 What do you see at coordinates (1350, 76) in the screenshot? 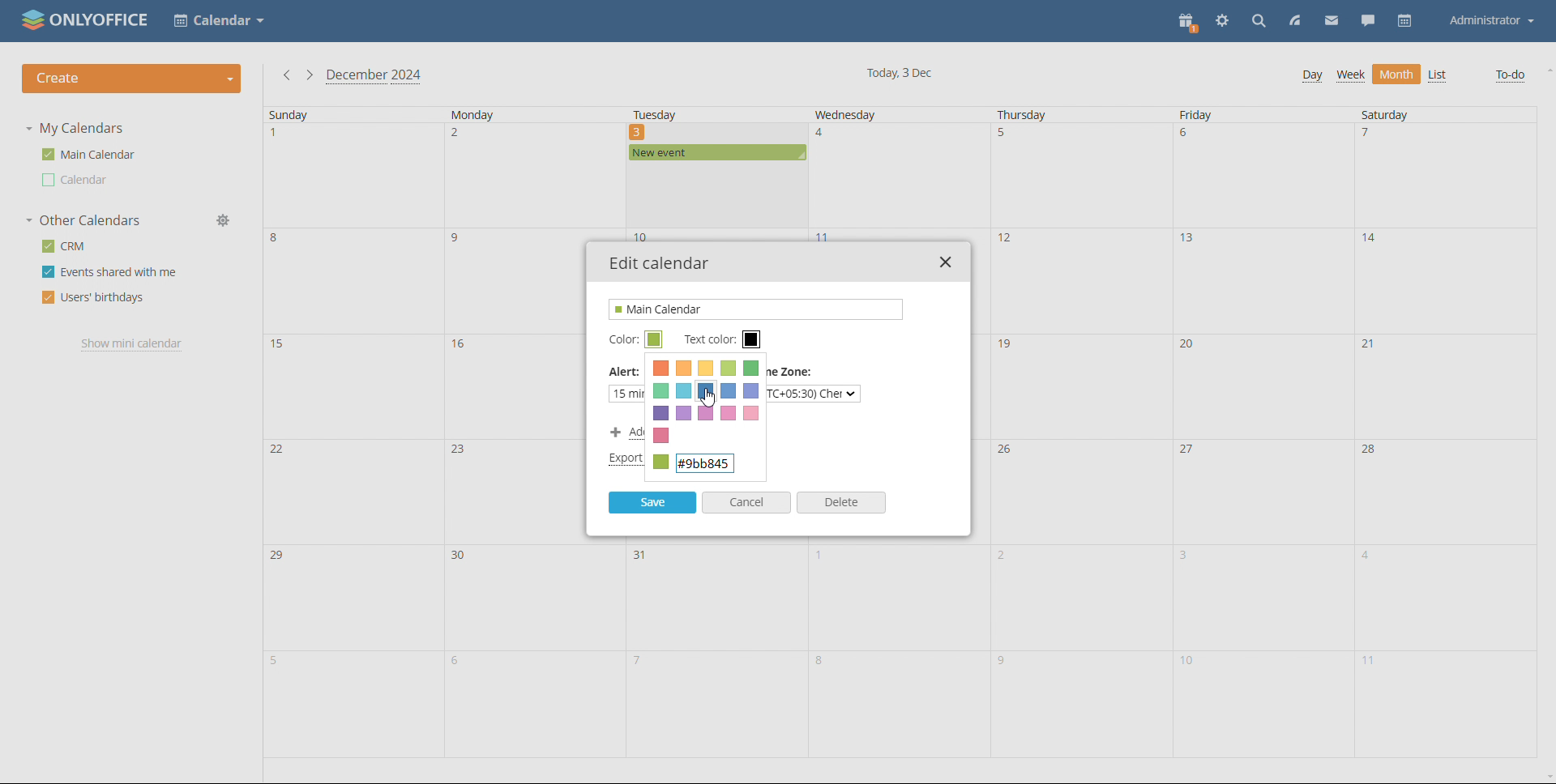
I see `week view` at bounding box center [1350, 76].